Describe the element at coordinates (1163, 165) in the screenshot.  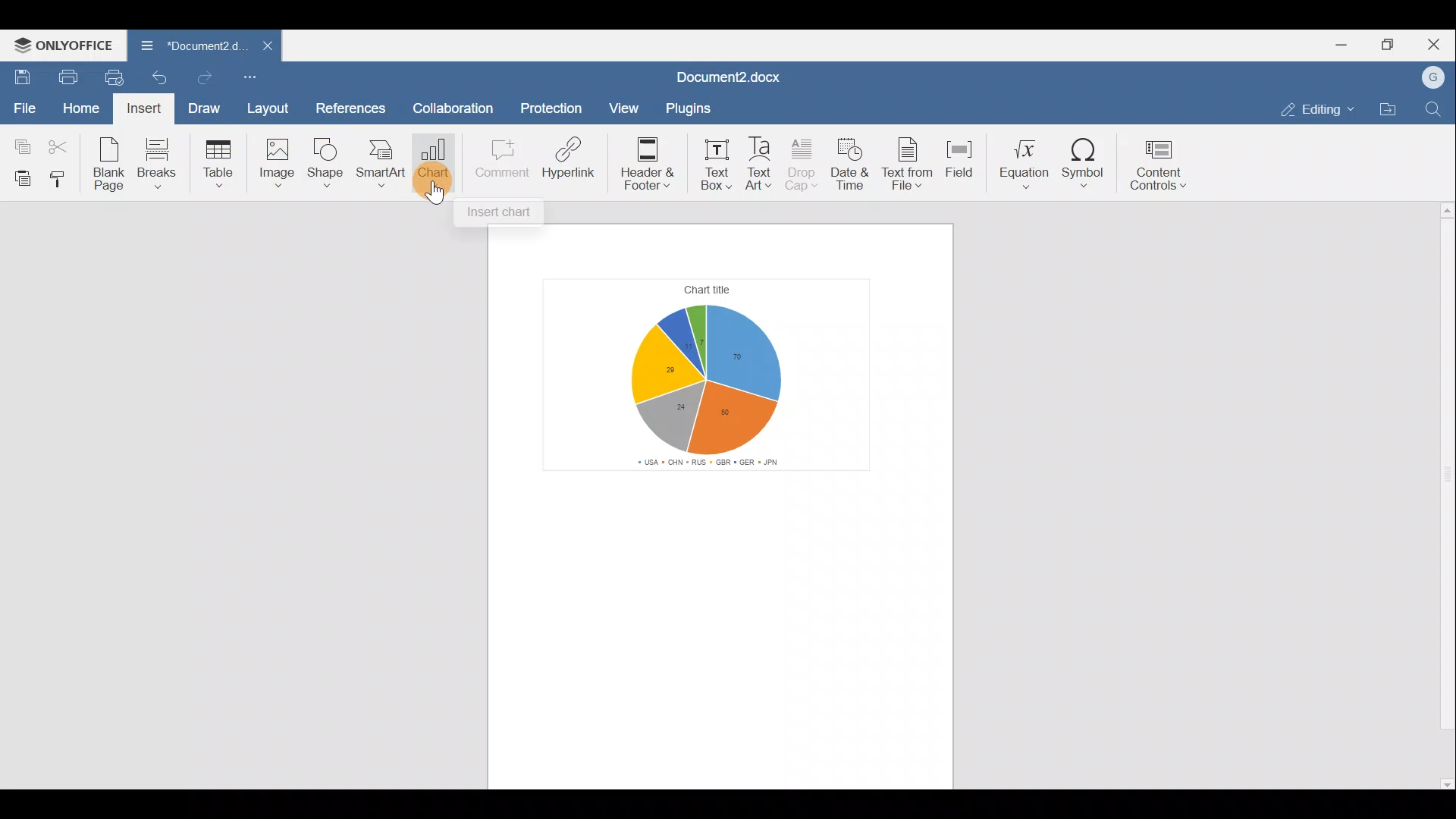
I see `Content controls` at that location.